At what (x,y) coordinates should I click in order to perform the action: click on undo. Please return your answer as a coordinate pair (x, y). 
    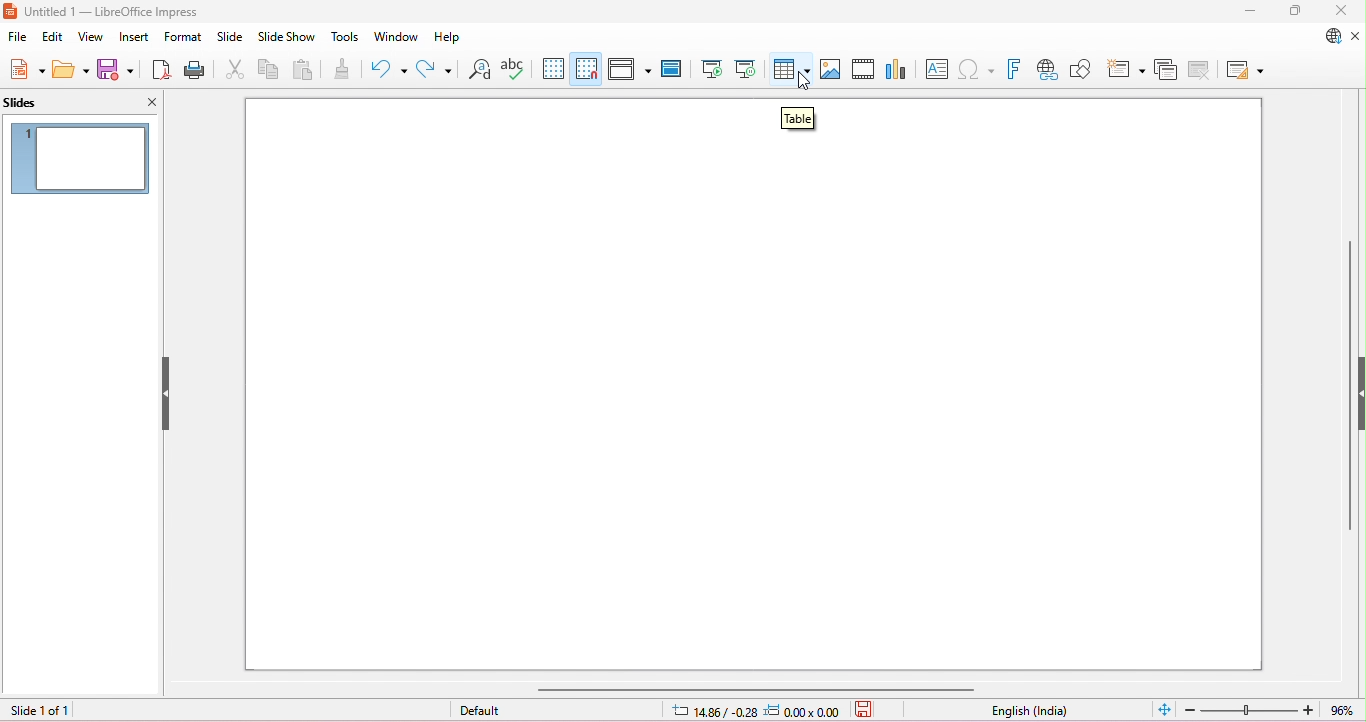
    Looking at the image, I should click on (388, 69).